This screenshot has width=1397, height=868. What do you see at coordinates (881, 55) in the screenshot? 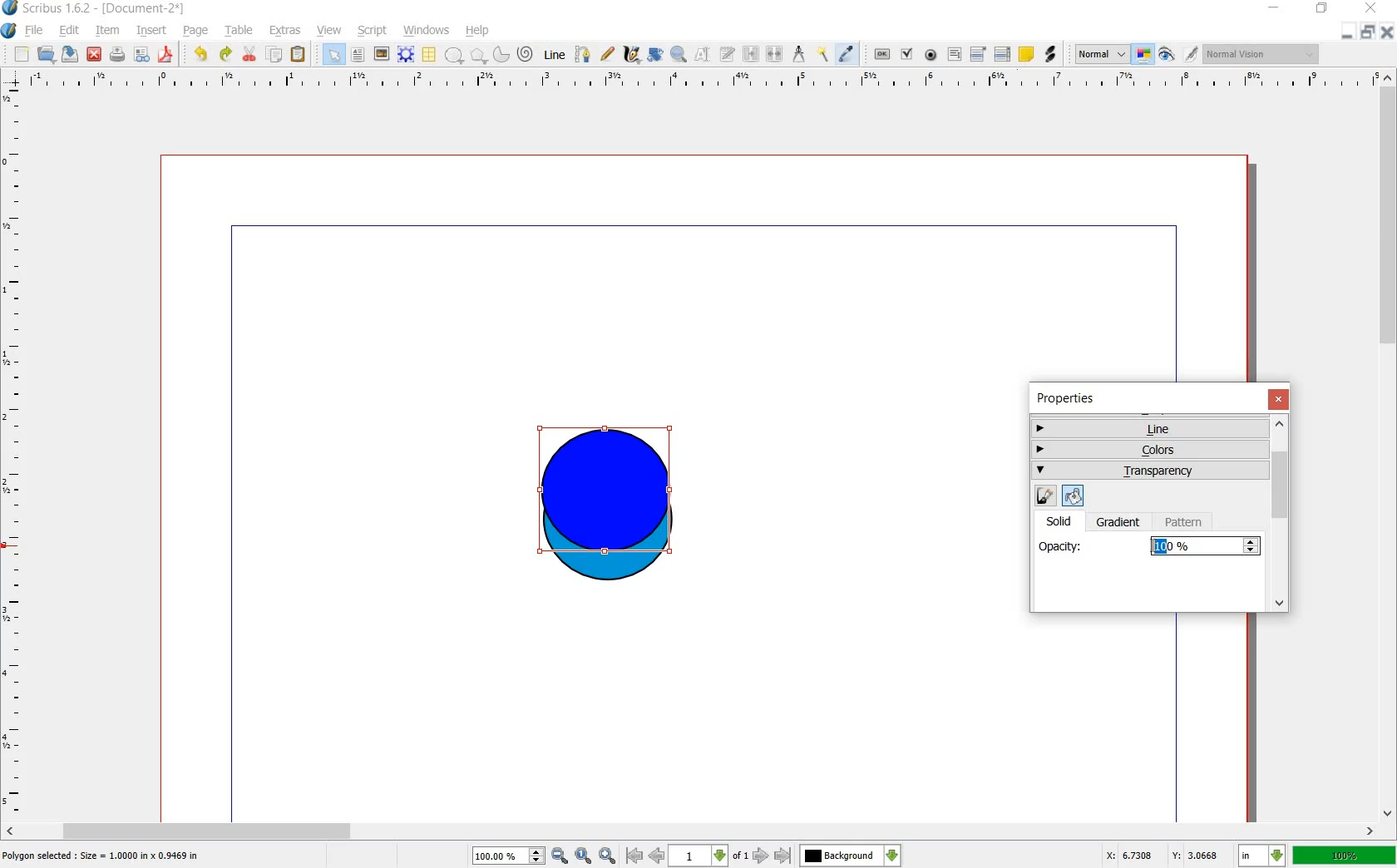
I see `pdf push button` at bounding box center [881, 55].